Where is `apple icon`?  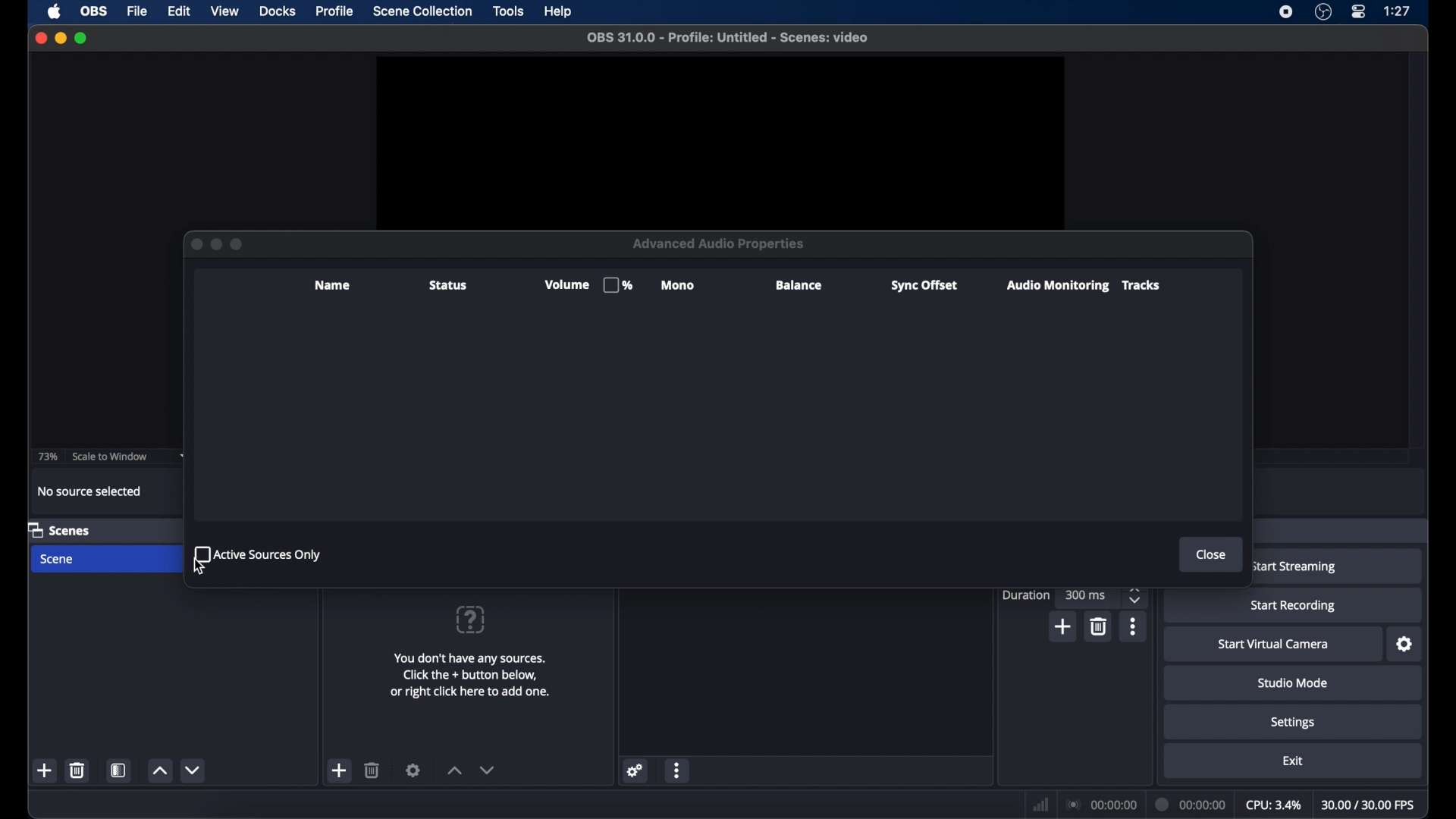
apple icon is located at coordinates (55, 11).